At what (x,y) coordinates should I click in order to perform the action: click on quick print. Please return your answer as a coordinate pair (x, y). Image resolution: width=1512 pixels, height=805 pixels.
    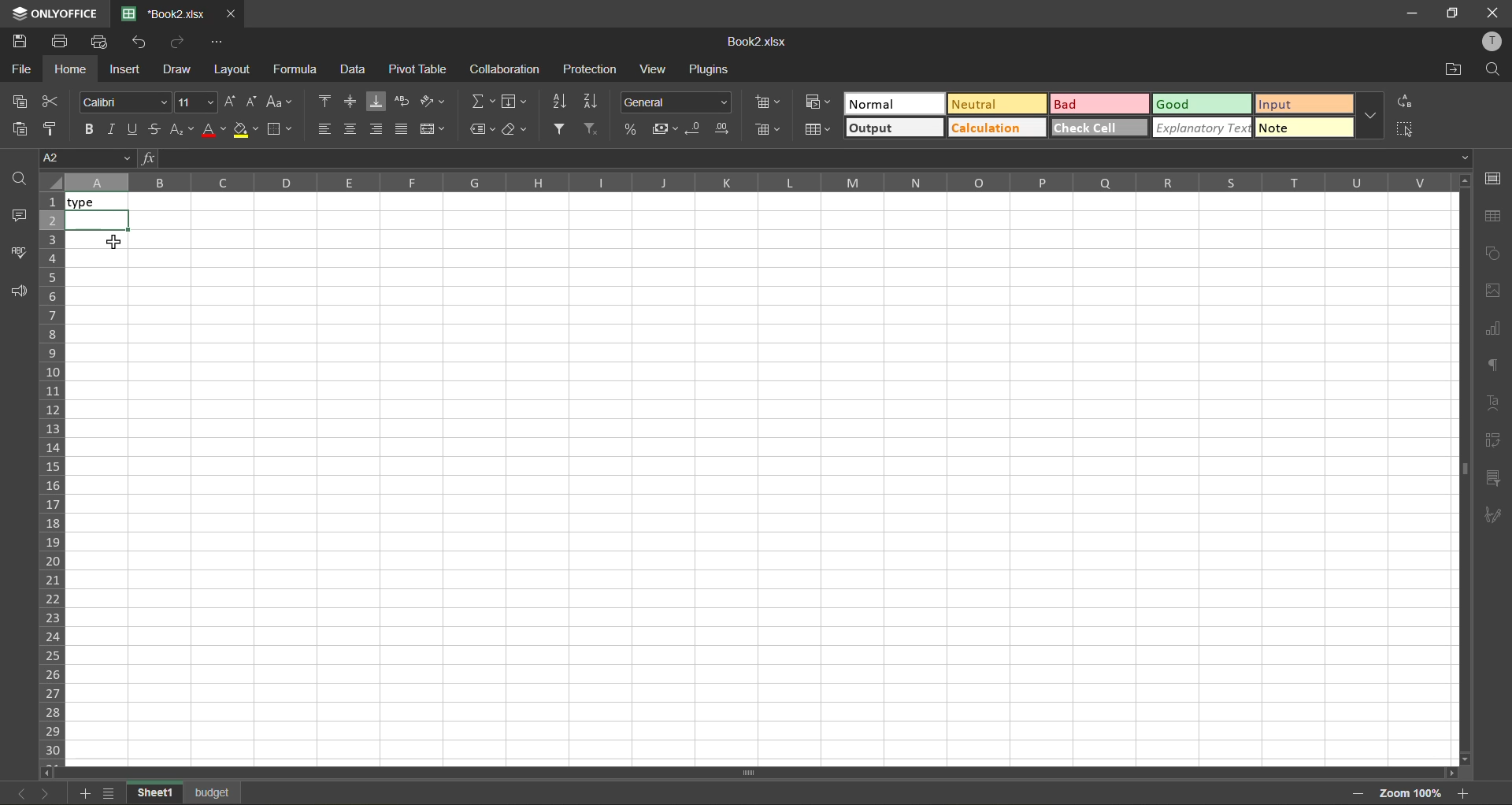
    Looking at the image, I should click on (104, 43).